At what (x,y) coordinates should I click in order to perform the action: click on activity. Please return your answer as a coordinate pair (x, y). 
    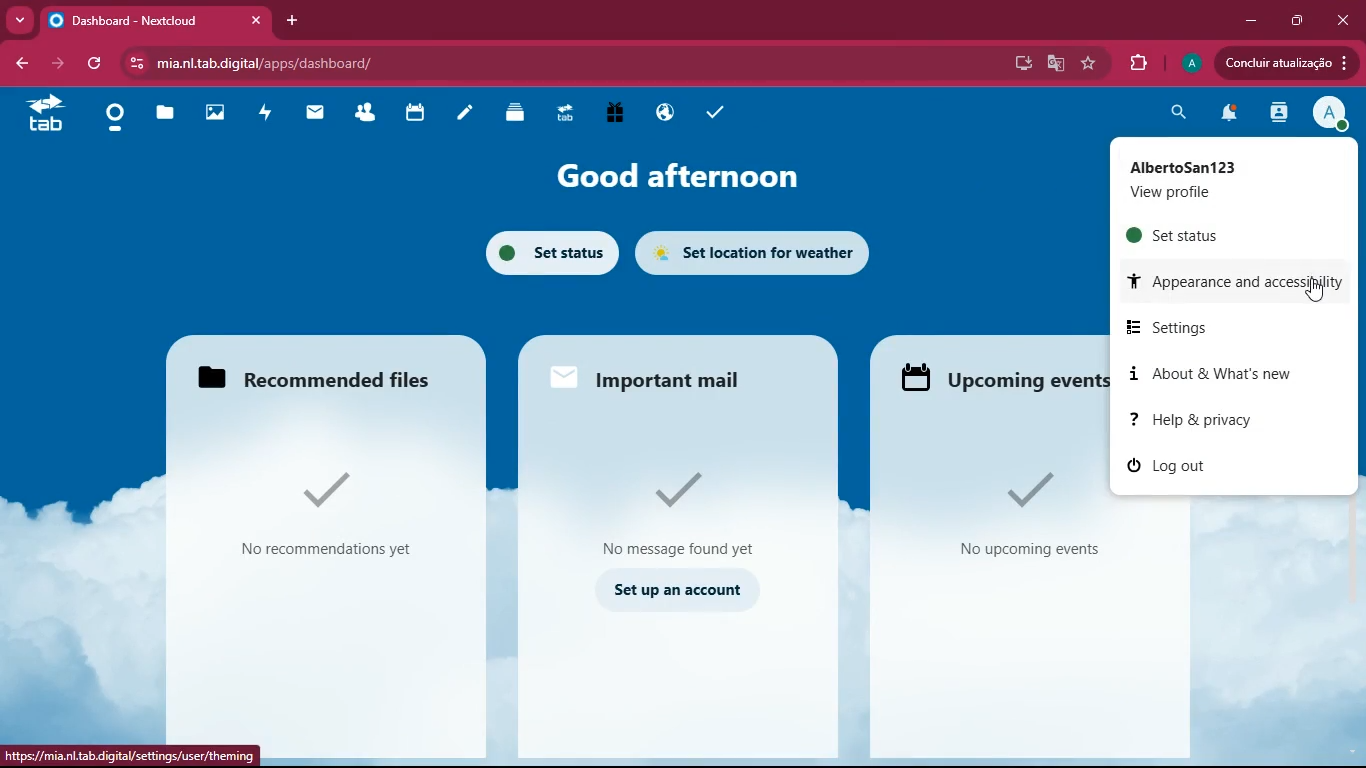
    Looking at the image, I should click on (1281, 114).